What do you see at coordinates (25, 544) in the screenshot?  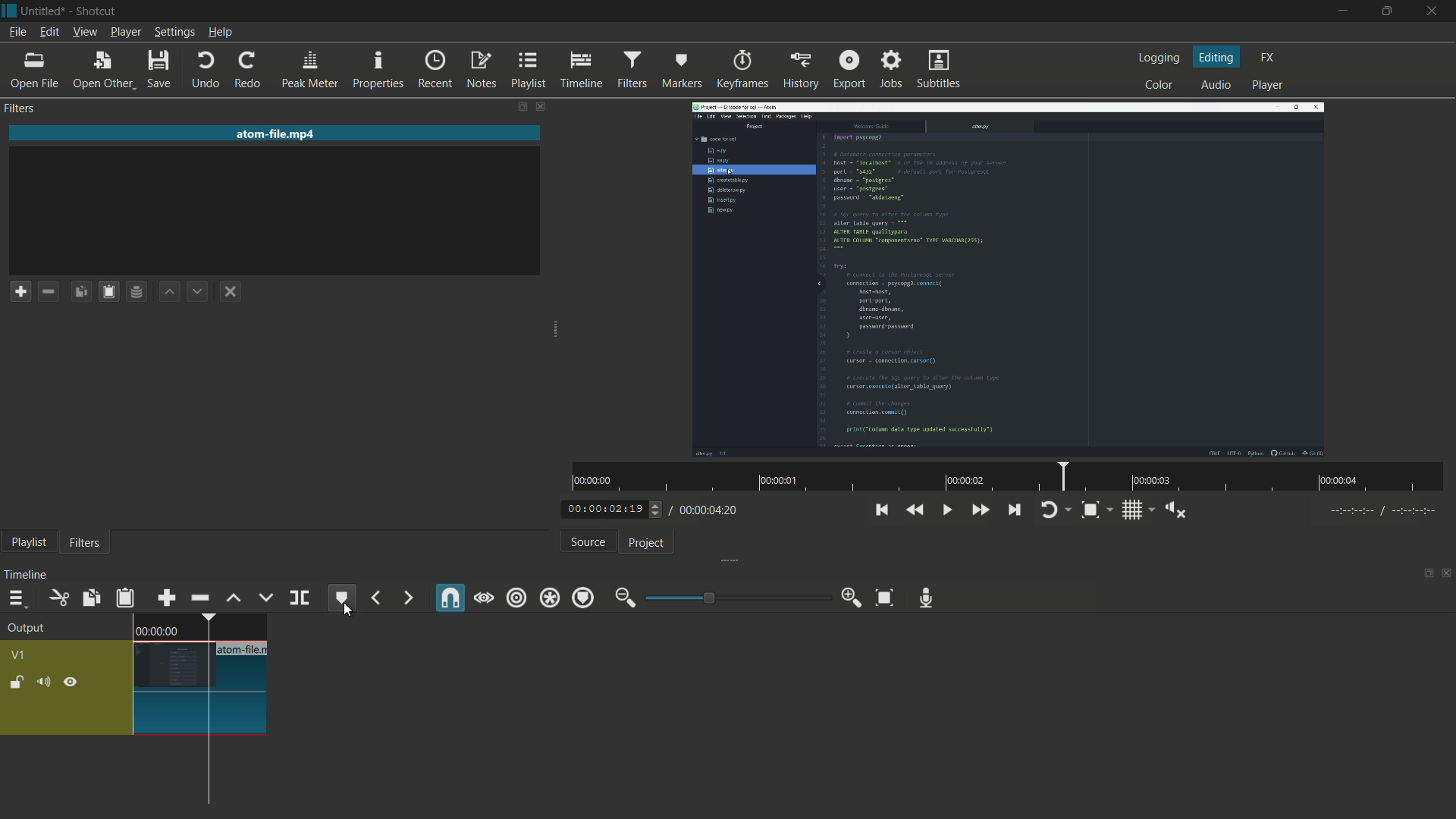 I see `playlist` at bounding box center [25, 544].